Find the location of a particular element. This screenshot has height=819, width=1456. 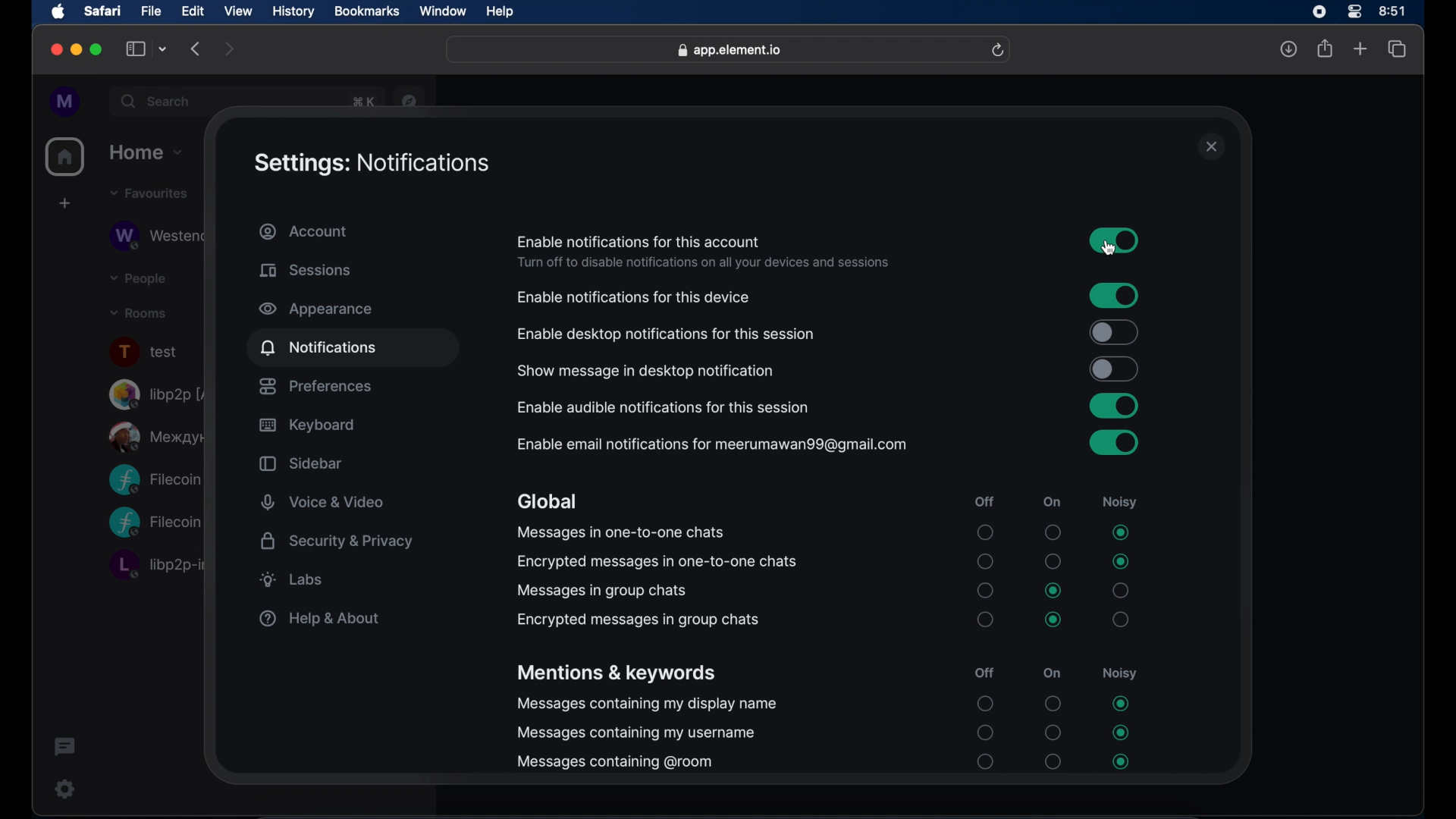

libp2p room is located at coordinates (159, 394).